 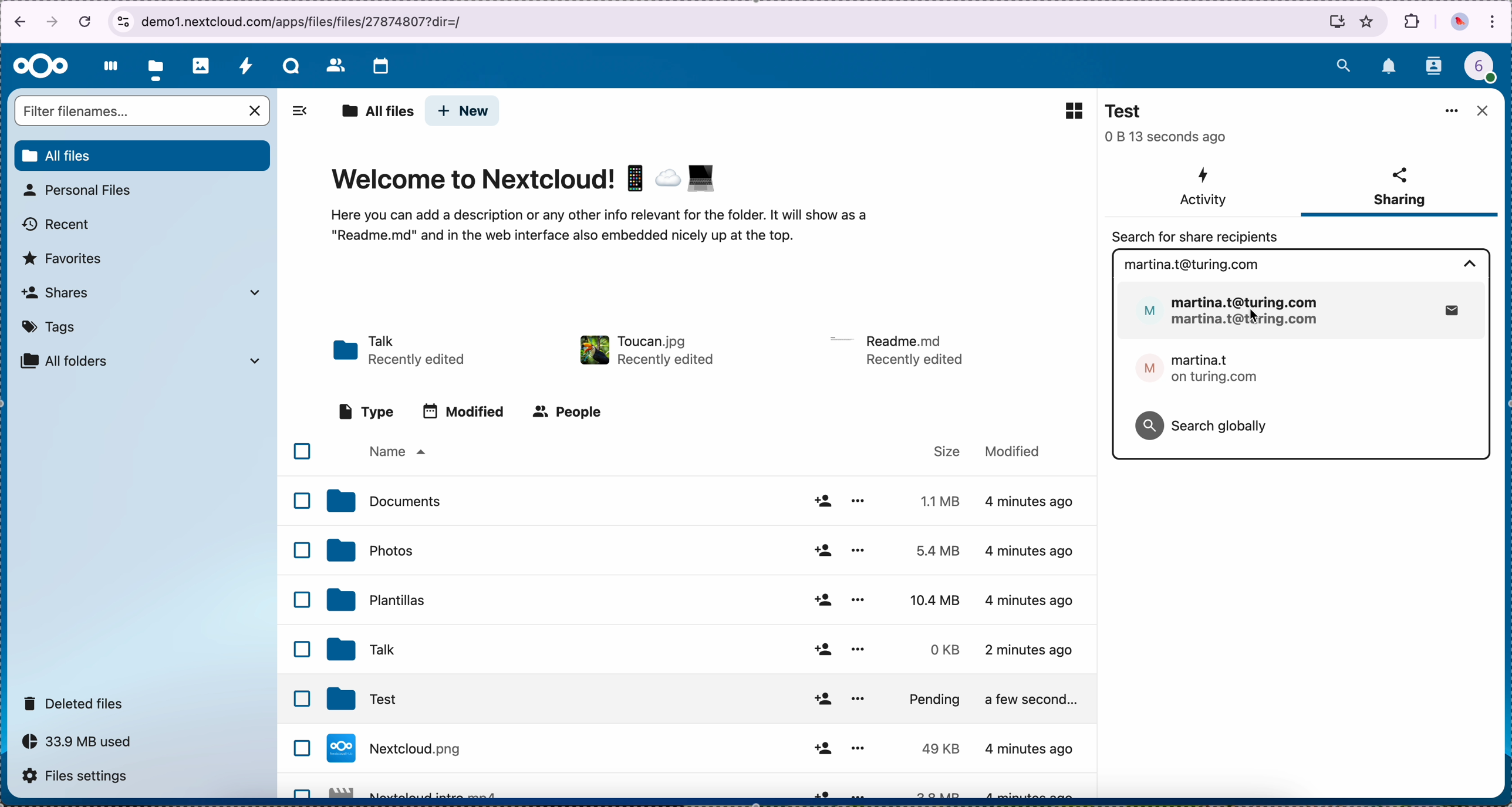 I want to click on grid view, so click(x=1068, y=110).